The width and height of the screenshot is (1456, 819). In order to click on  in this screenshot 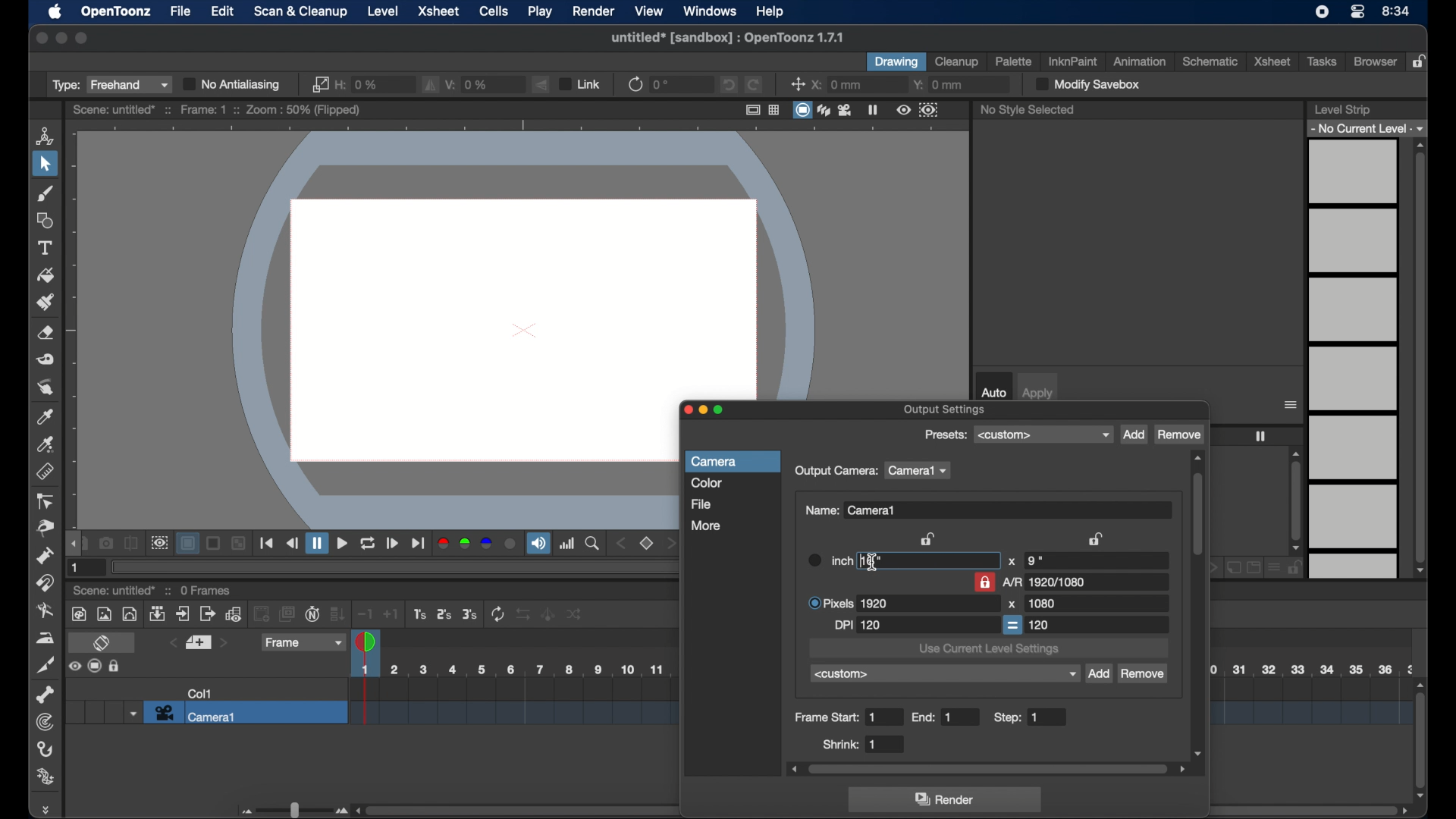, I will do `click(417, 547)`.